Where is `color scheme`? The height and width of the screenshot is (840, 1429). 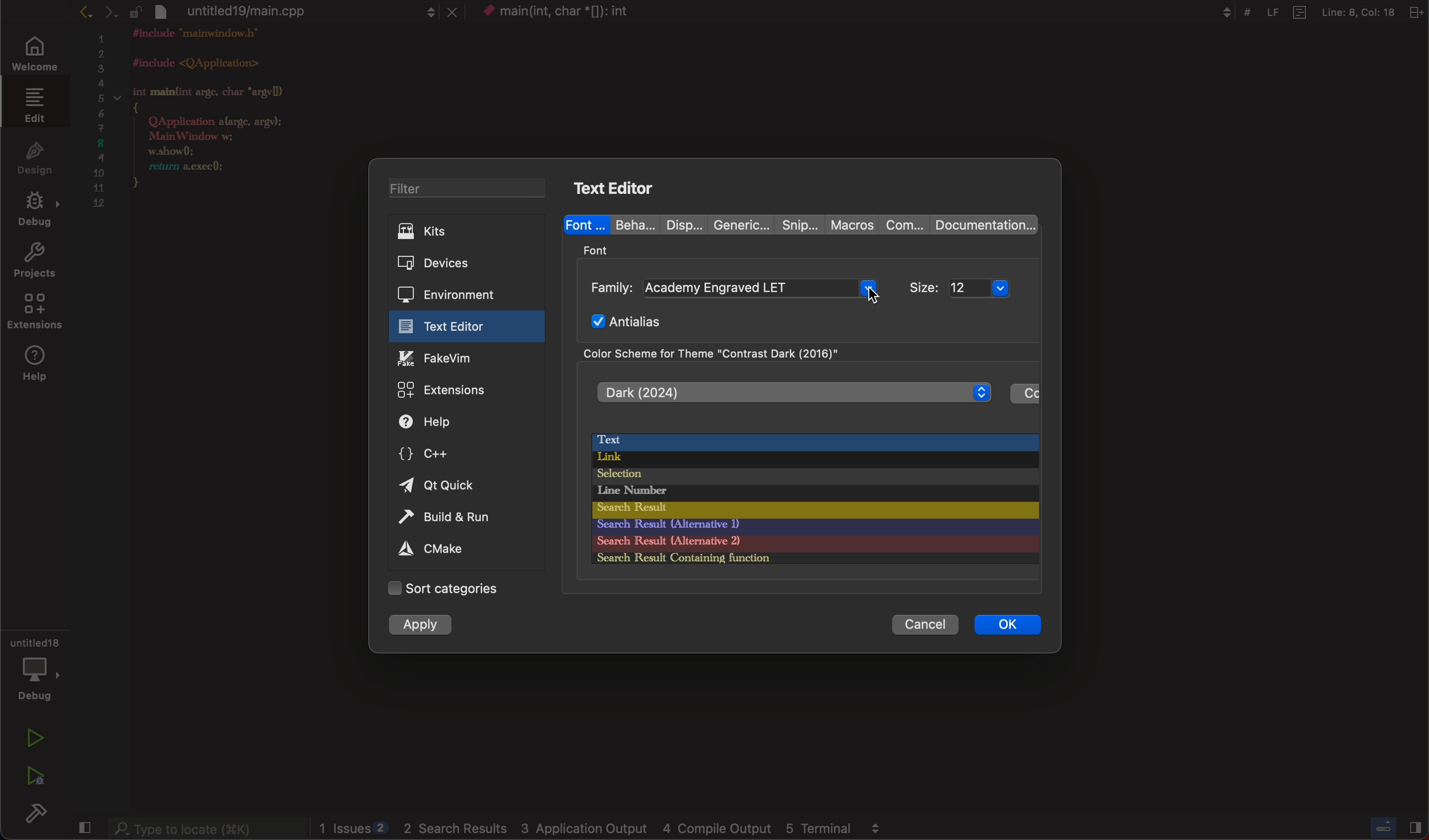 color scheme is located at coordinates (747, 353).